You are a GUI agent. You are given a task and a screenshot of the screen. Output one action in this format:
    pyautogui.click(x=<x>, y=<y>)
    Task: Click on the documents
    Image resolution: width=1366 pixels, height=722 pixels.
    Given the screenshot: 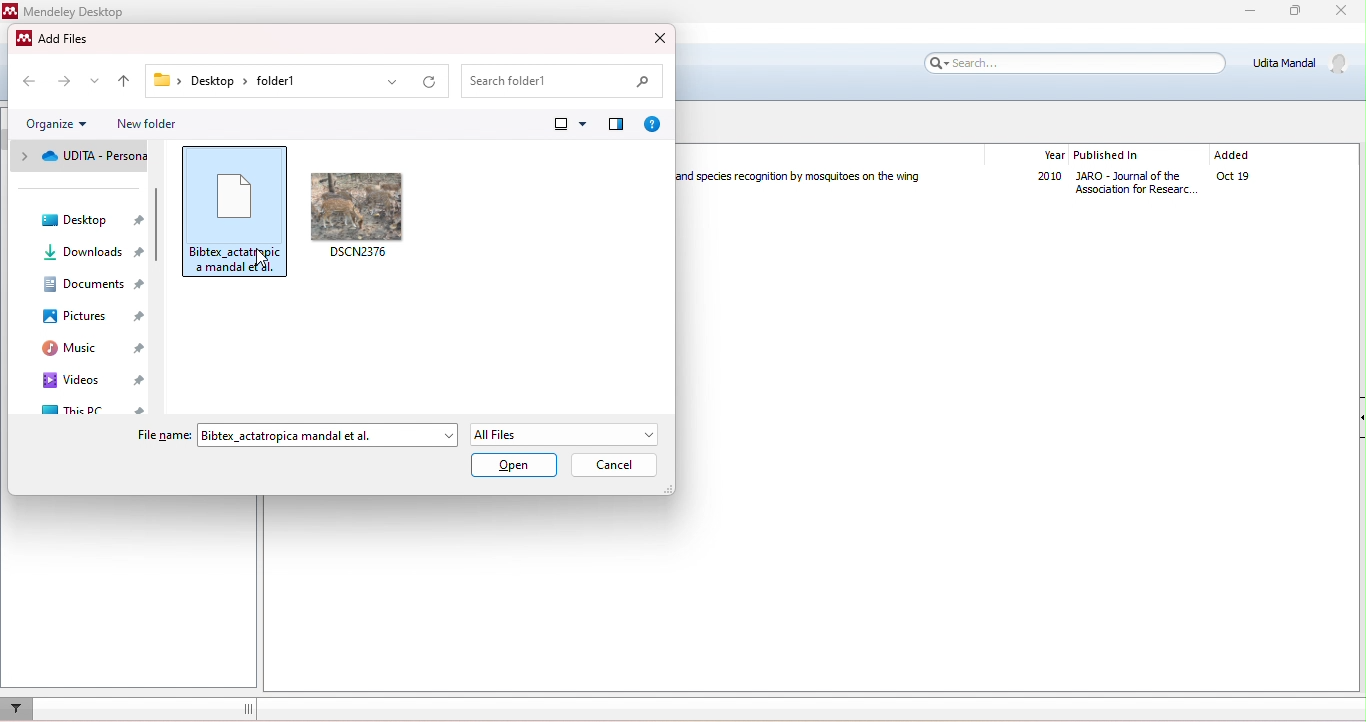 What is the action you would take?
    pyautogui.click(x=94, y=286)
    